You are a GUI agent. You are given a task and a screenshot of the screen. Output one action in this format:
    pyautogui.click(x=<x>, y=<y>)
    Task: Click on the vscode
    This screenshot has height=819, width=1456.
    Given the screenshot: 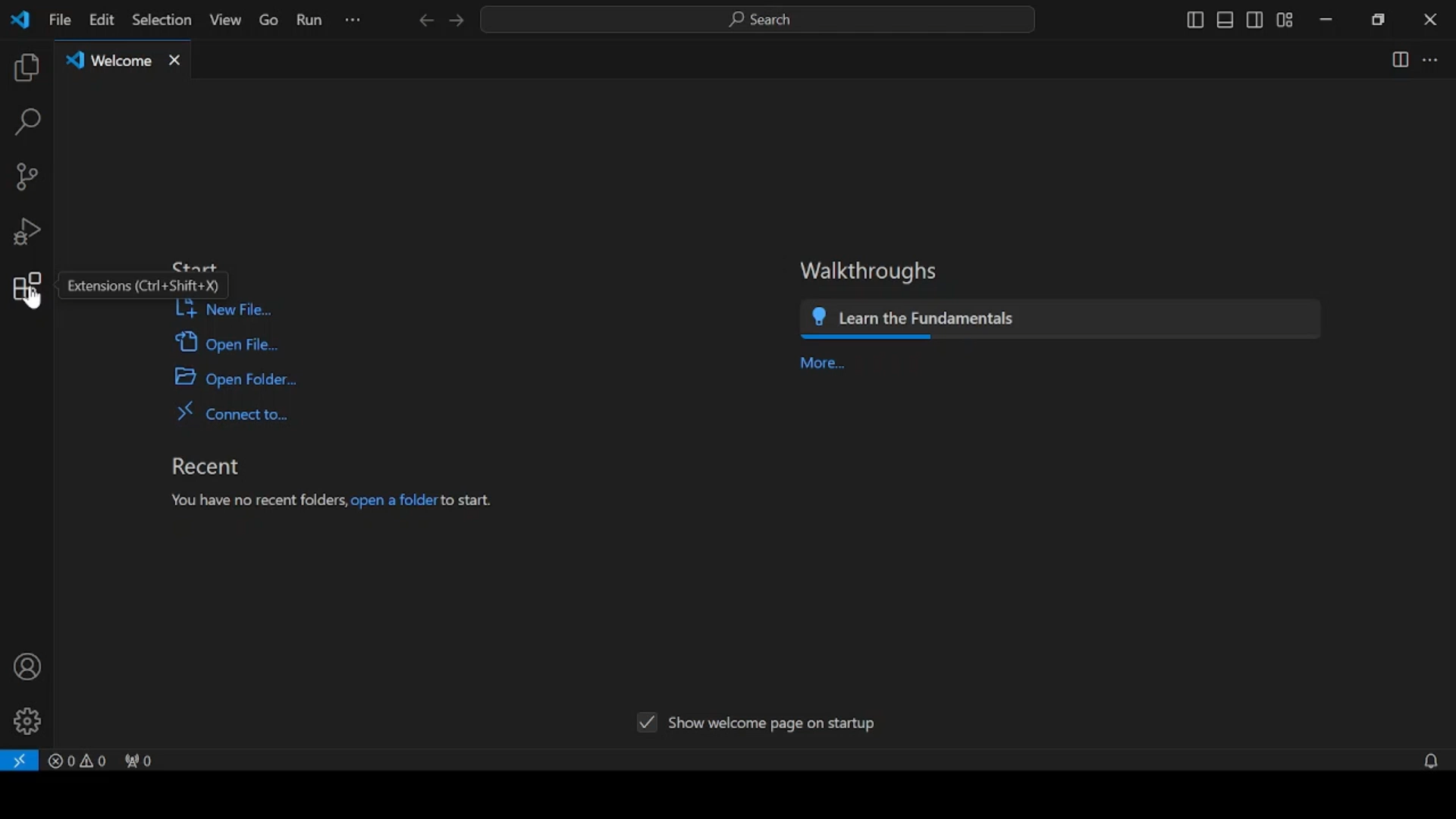 What is the action you would take?
    pyautogui.click(x=23, y=20)
    